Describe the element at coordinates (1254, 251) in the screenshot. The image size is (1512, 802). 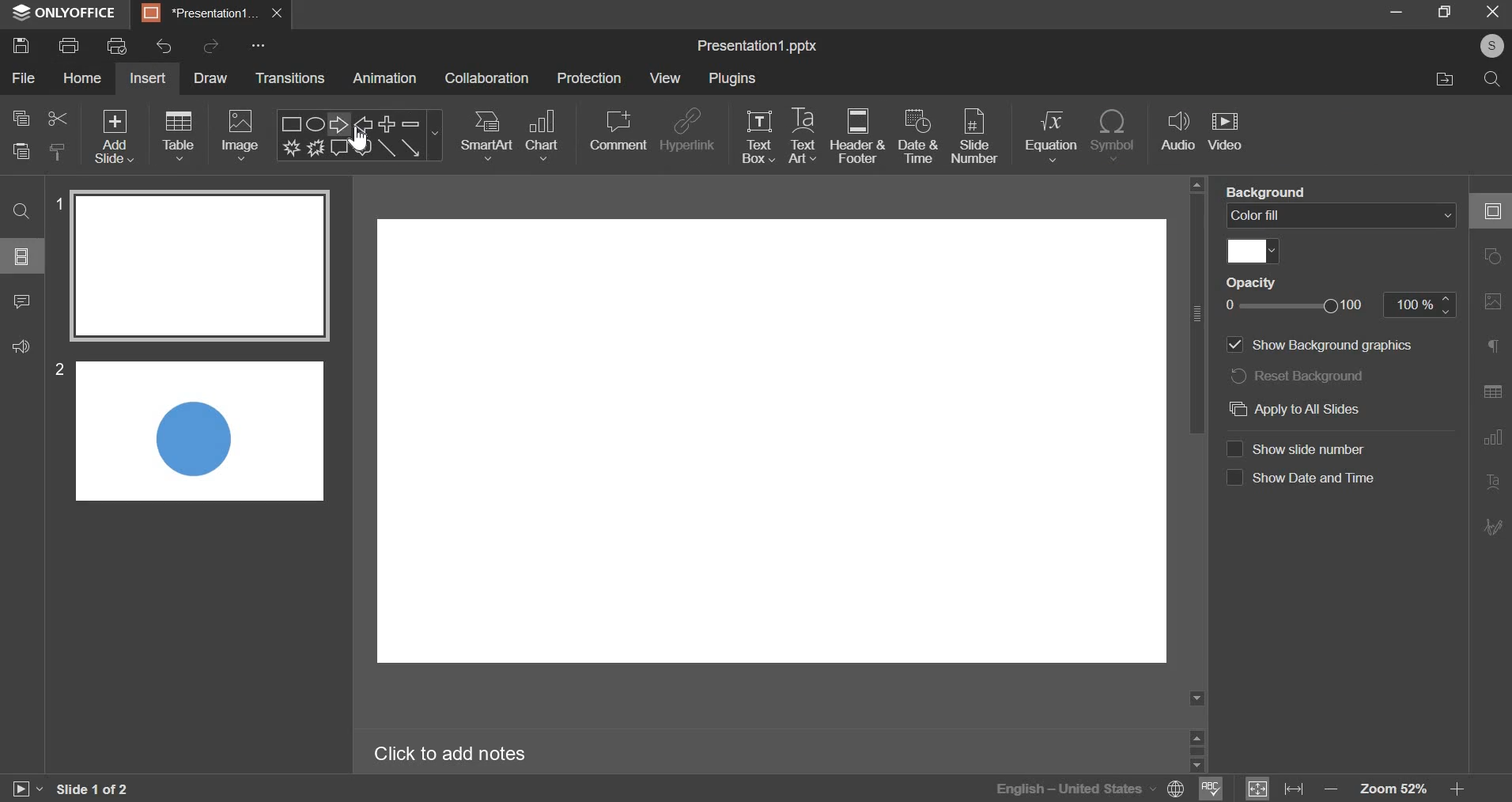
I see `select fill color` at that location.